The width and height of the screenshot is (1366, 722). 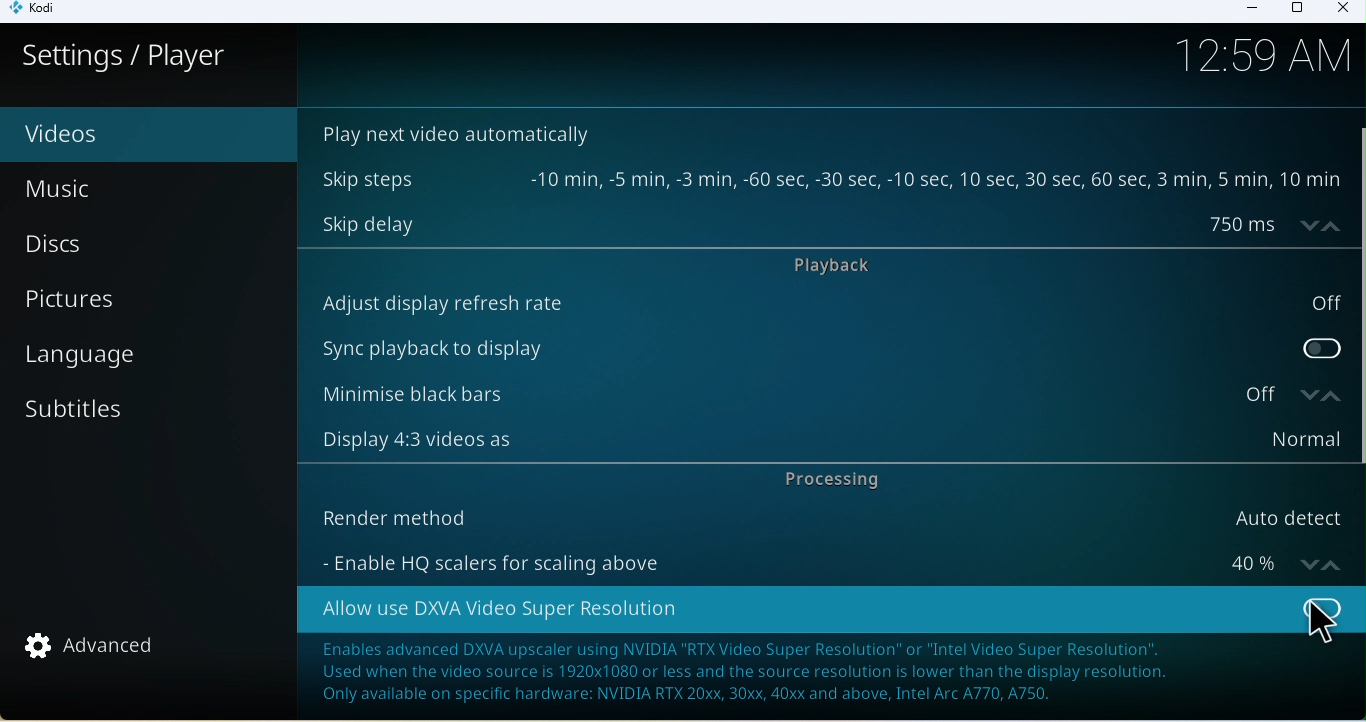 What do you see at coordinates (826, 348) in the screenshot?
I see `Sync playback to display` at bounding box center [826, 348].